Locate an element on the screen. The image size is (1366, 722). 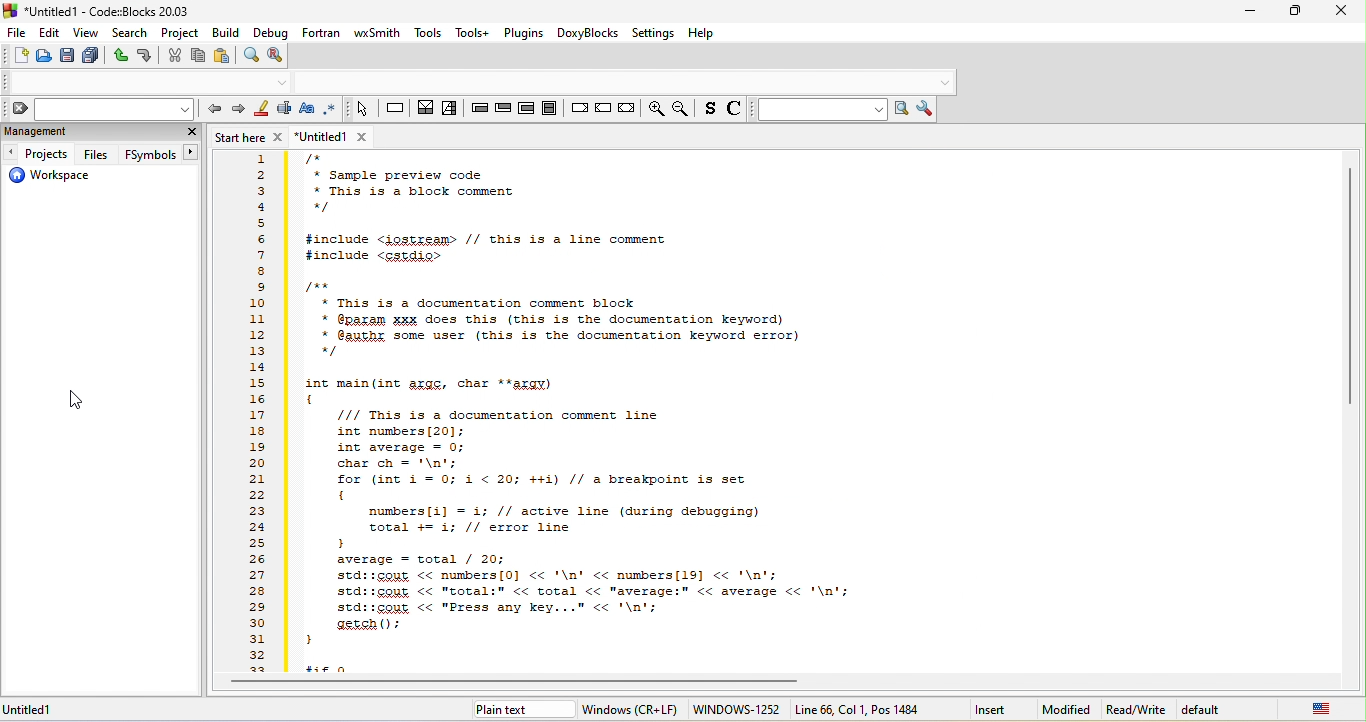
close is located at coordinates (188, 131).